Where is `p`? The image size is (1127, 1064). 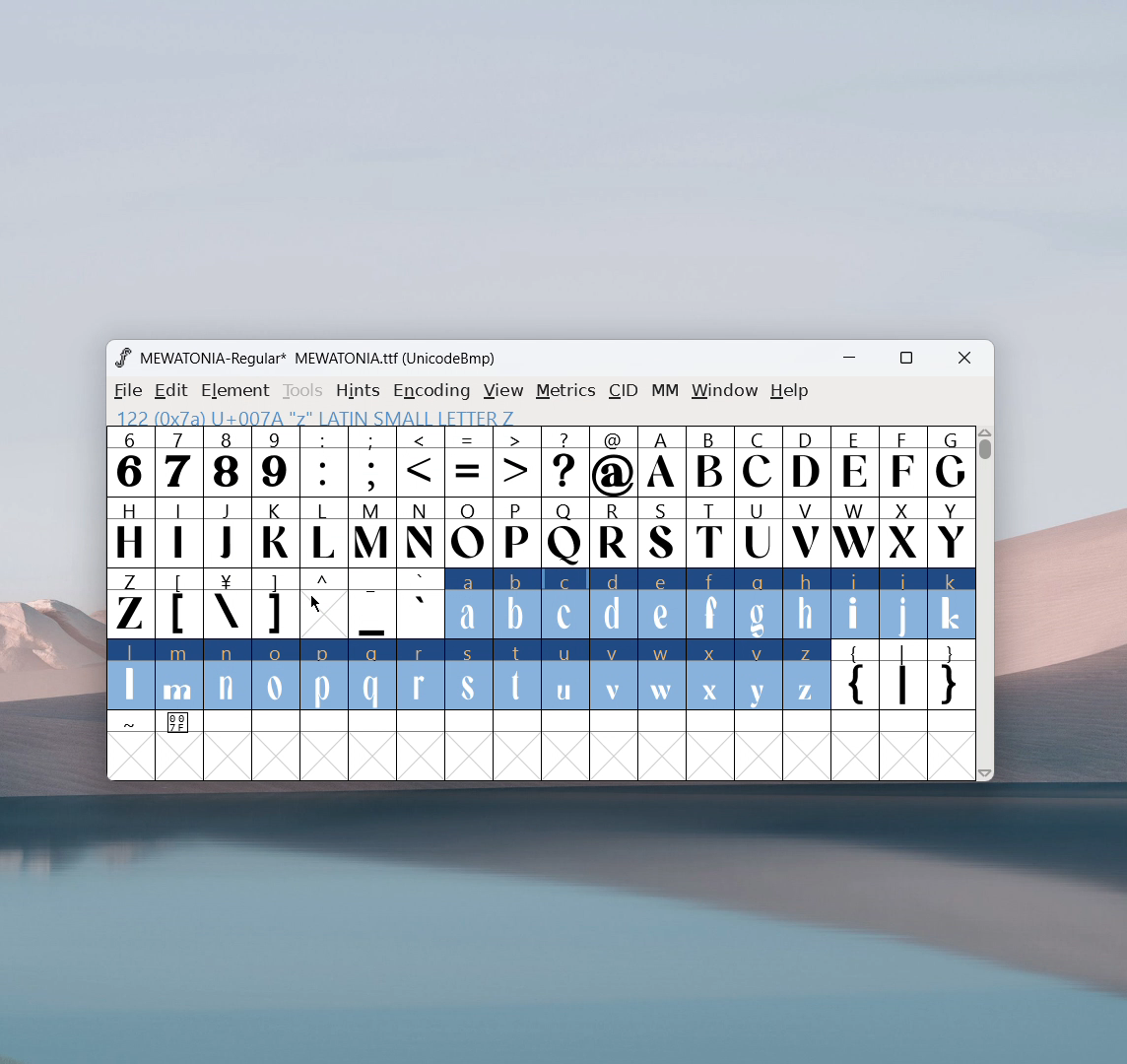
p is located at coordinates (326, 676).